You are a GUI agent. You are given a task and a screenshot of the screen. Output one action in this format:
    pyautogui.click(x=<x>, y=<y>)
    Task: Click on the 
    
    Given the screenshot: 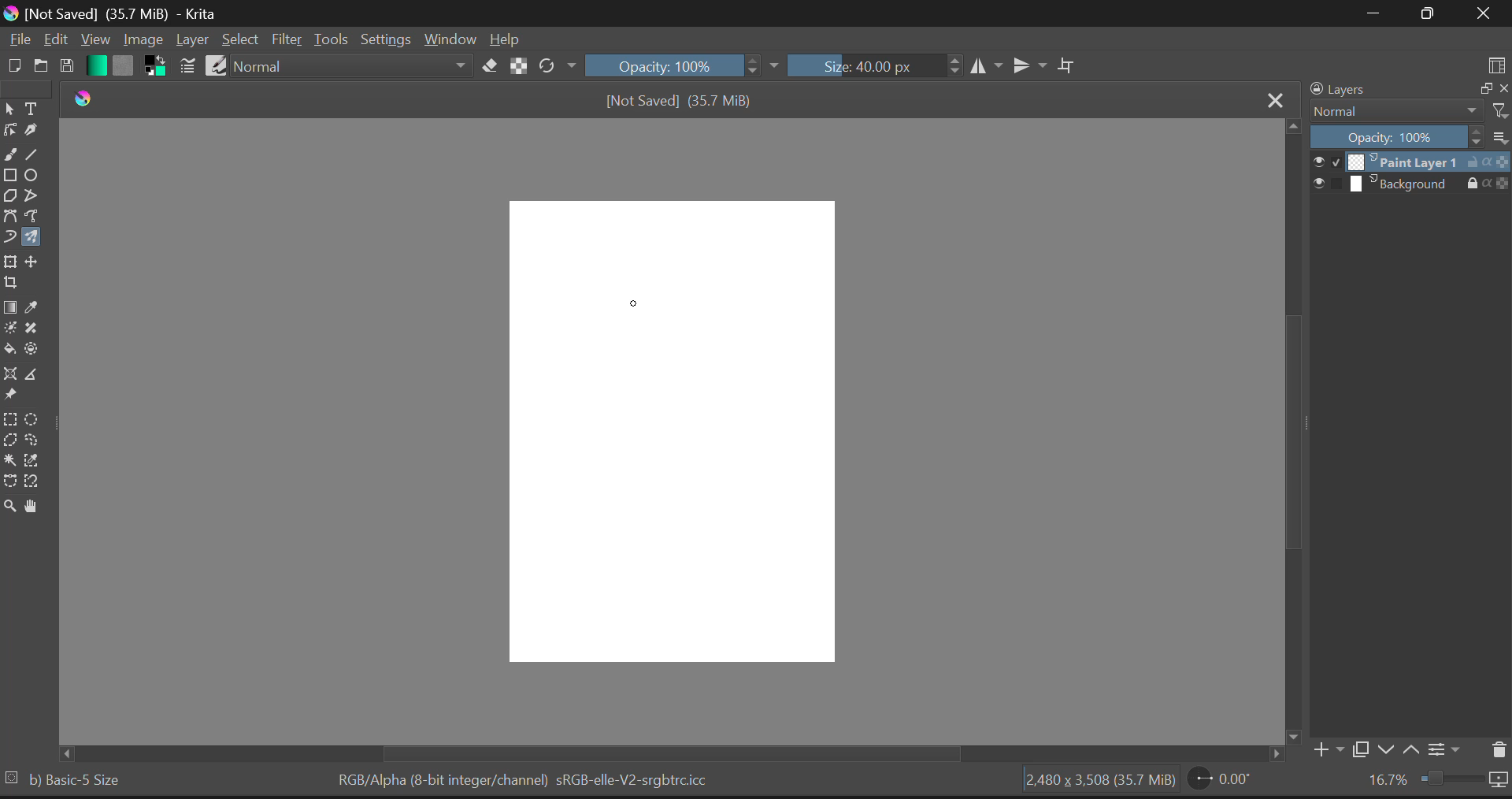 What is the action you would take?
    pyautogui.click(x=63, y=749)
    